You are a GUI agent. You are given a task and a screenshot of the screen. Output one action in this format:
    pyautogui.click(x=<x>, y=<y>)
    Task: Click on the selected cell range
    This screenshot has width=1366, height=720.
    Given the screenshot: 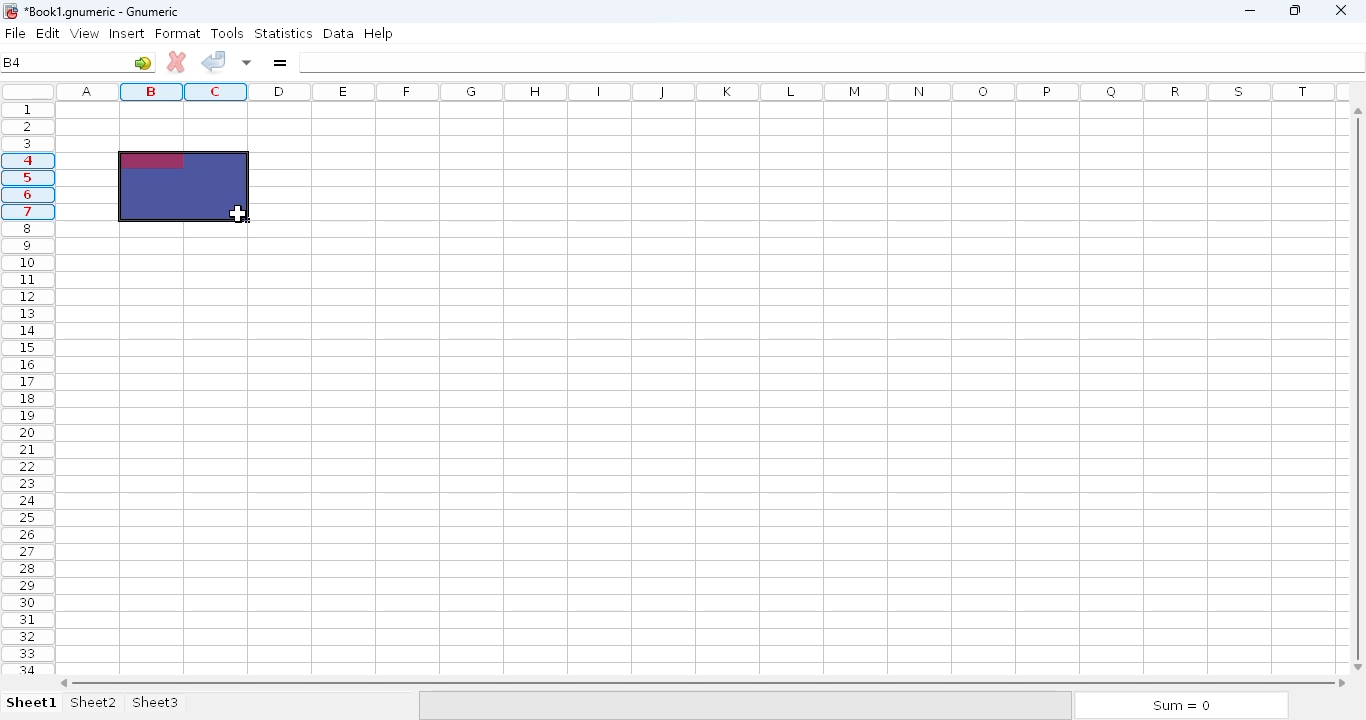 What is the action you would take?
    pyautogui.click(x=184, y=188)
    